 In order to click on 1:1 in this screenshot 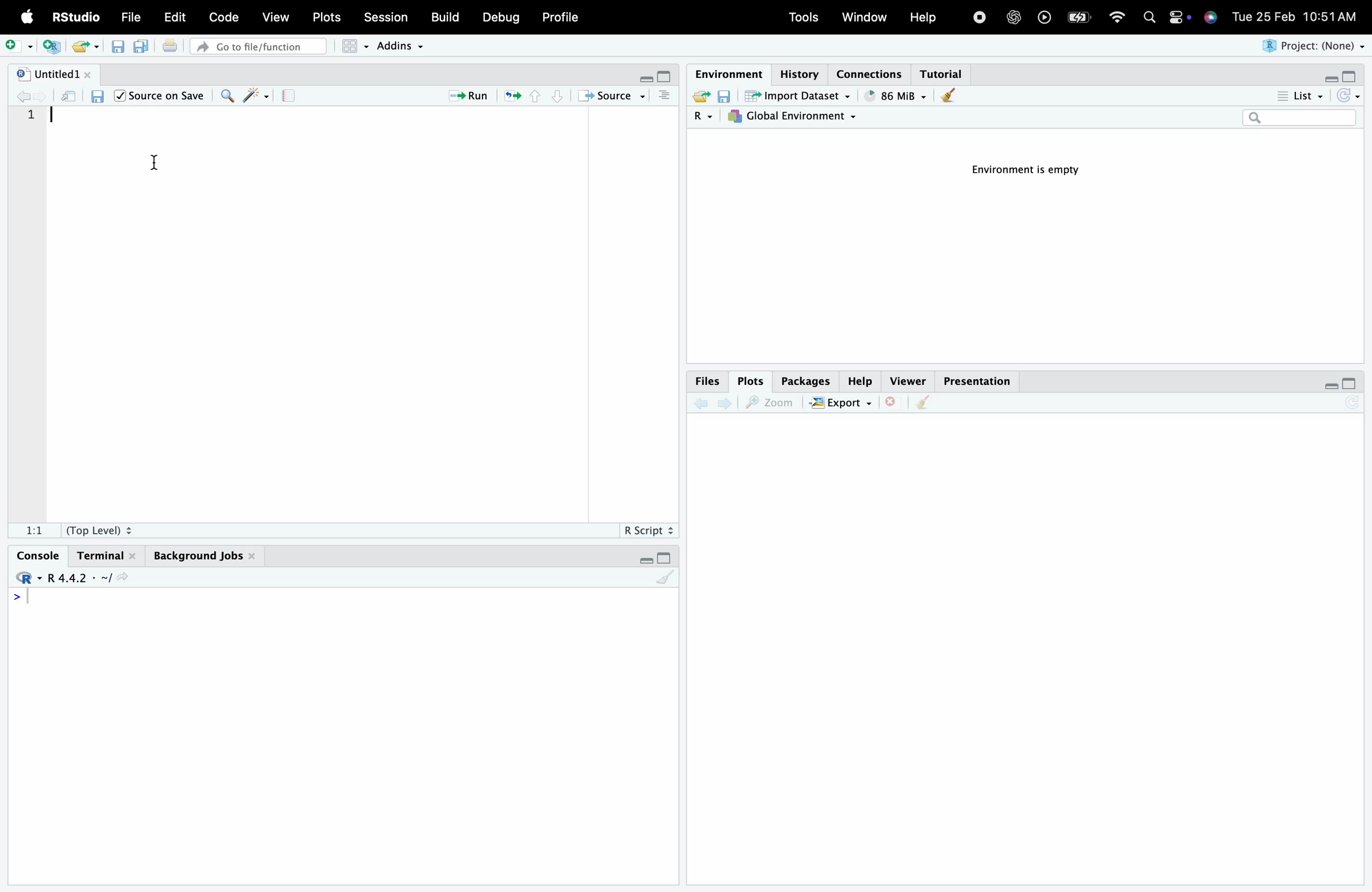, I will do `click(33, 528)`.